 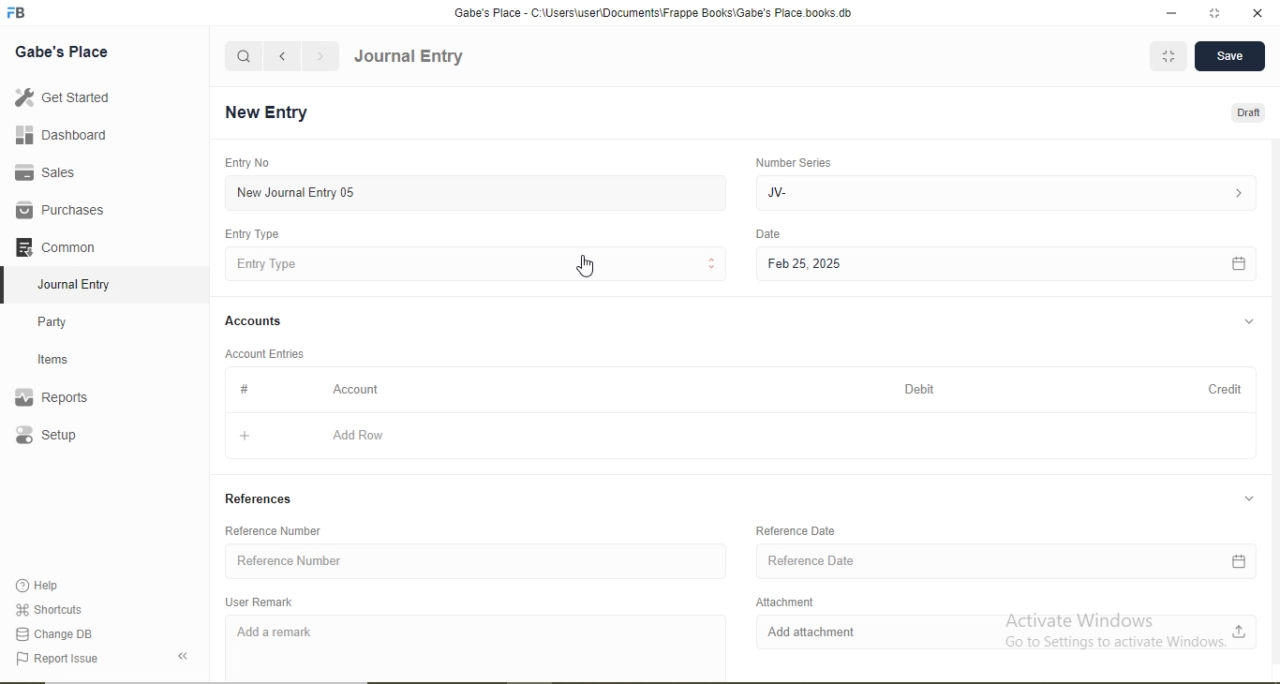 I want to click on Gabe's Place, so click(x=64, y=51).